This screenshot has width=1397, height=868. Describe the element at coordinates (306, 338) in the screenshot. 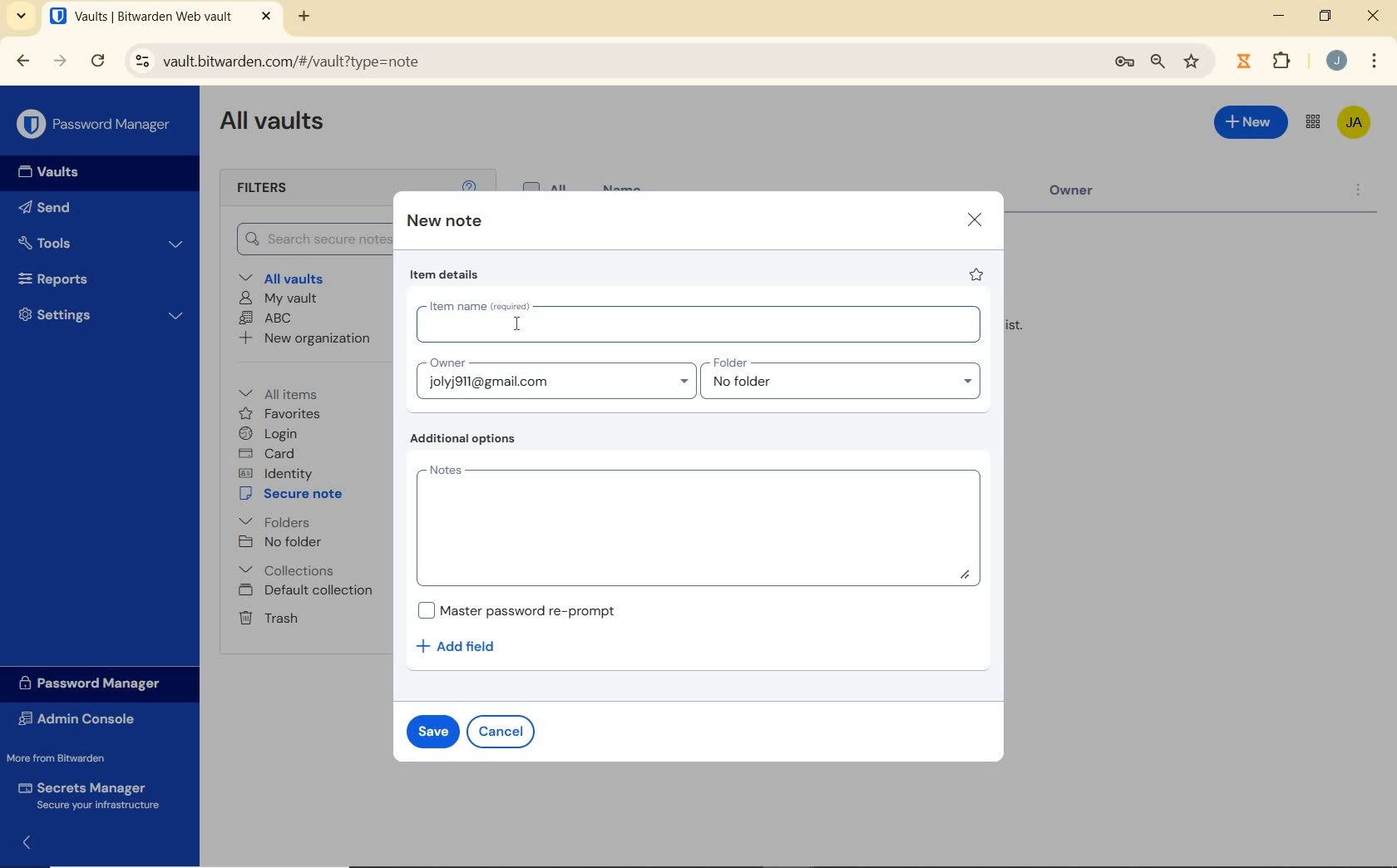

I see `New organization` at that location.